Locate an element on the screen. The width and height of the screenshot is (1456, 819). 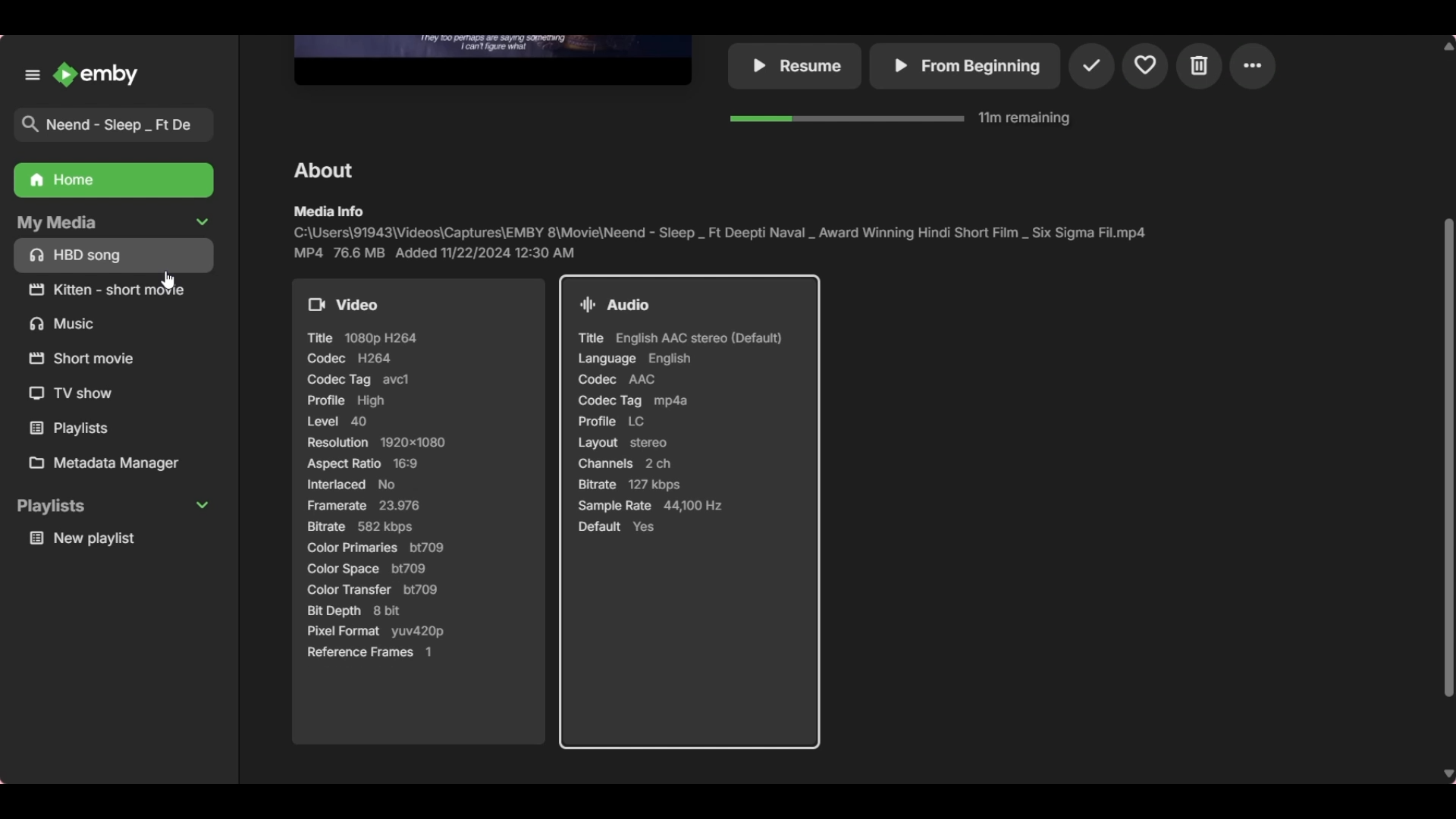
 is located at coordinates (1147, 67).